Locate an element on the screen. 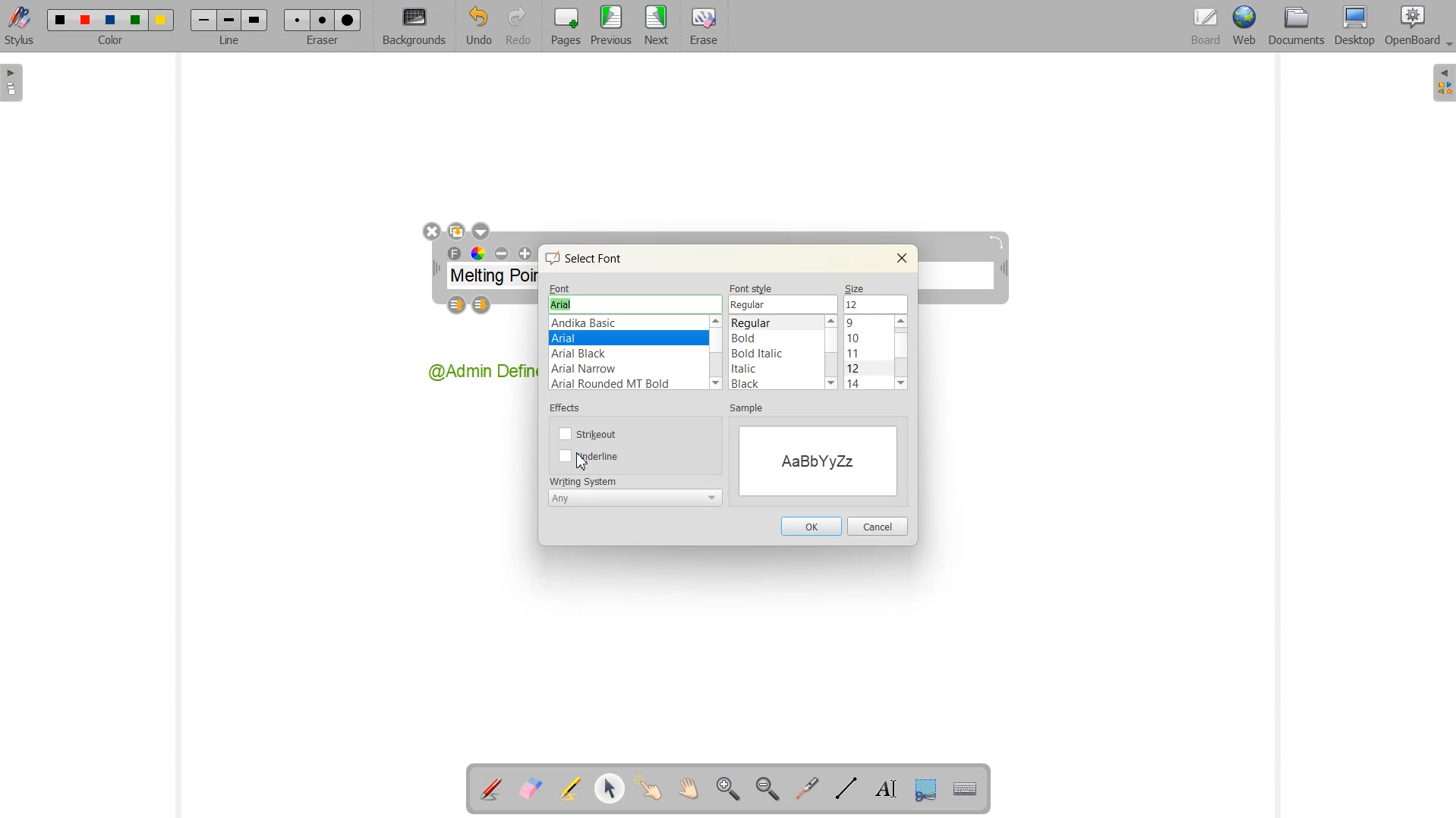 The width and height of the screenshot is (1456, 818). Draw lines is located at coordinates (846, 788).